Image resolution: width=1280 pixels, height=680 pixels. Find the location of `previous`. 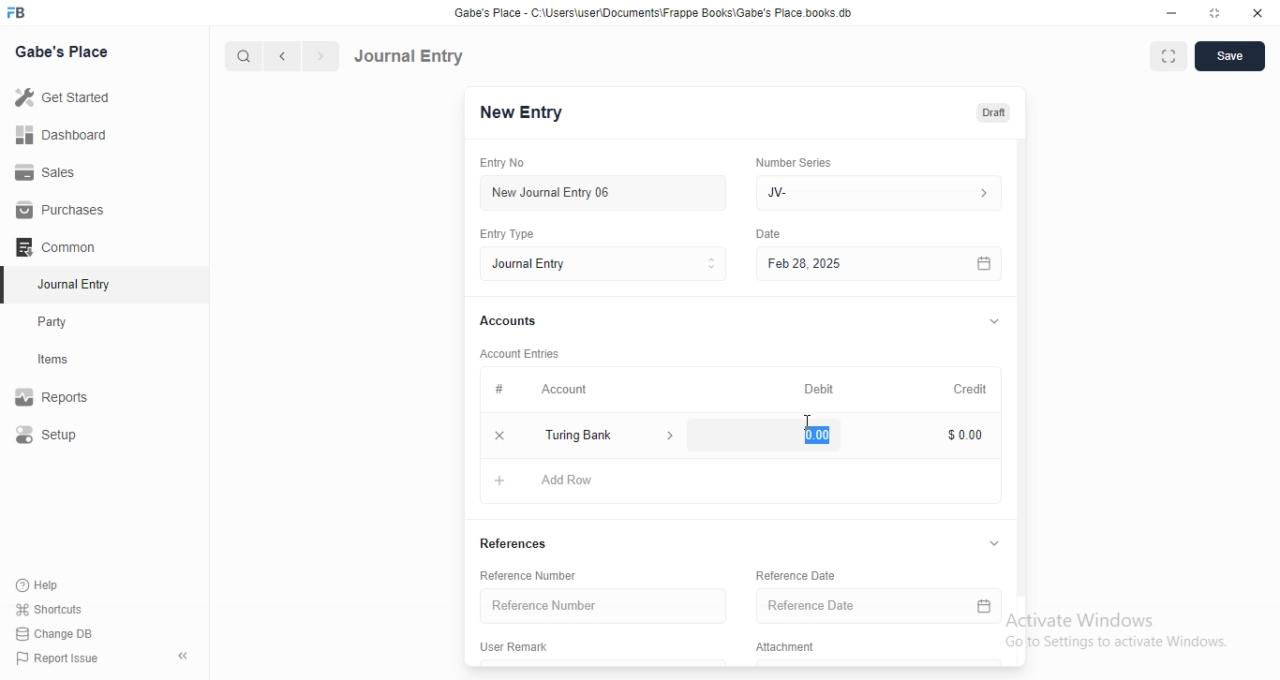

previous is located at coordinates (279, 56).